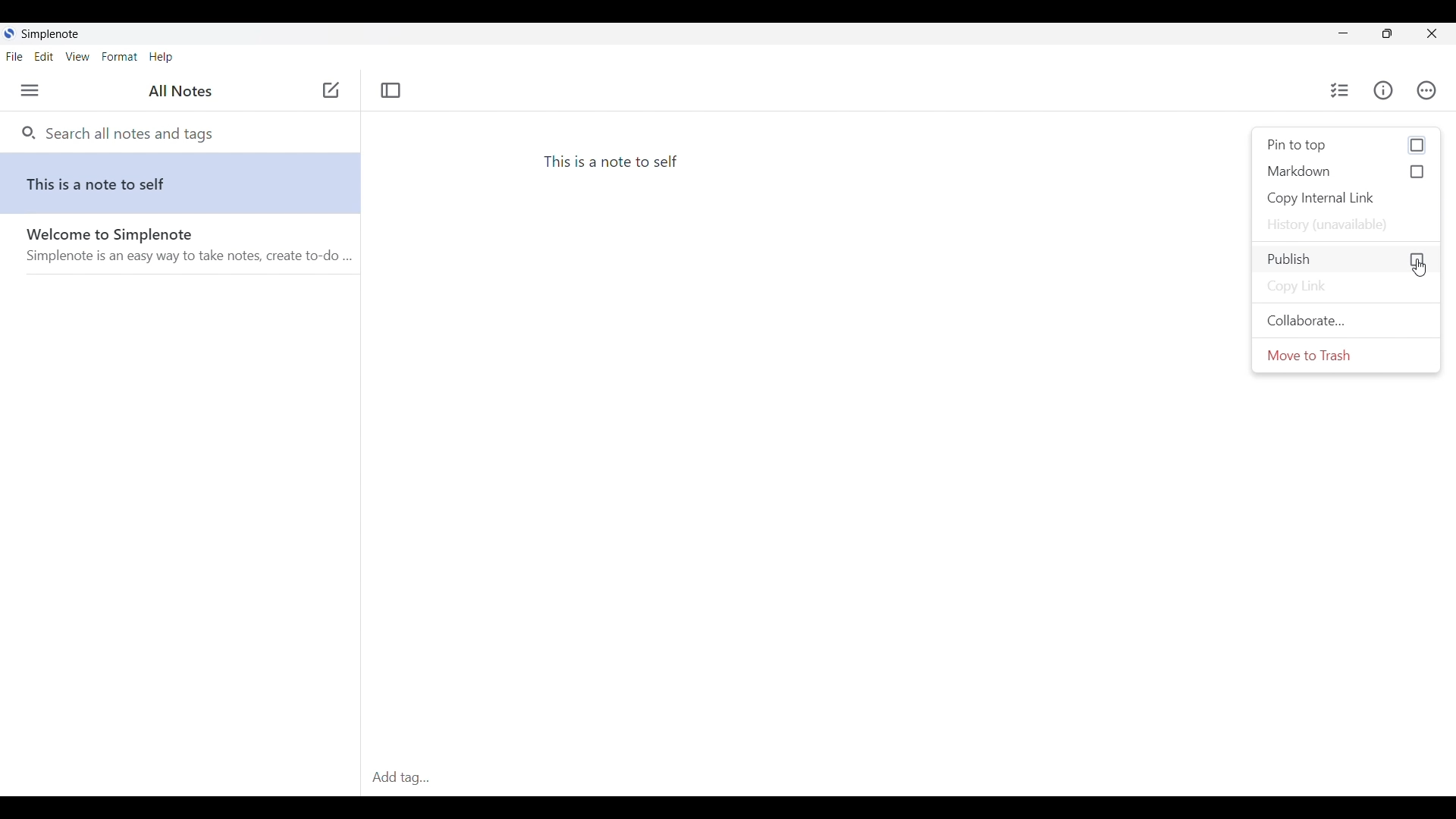 The width and height of the screenshot is (1456, 819). Describe the element at coordinates (30, 90) in the screenshot. I see `Menu` at that location.